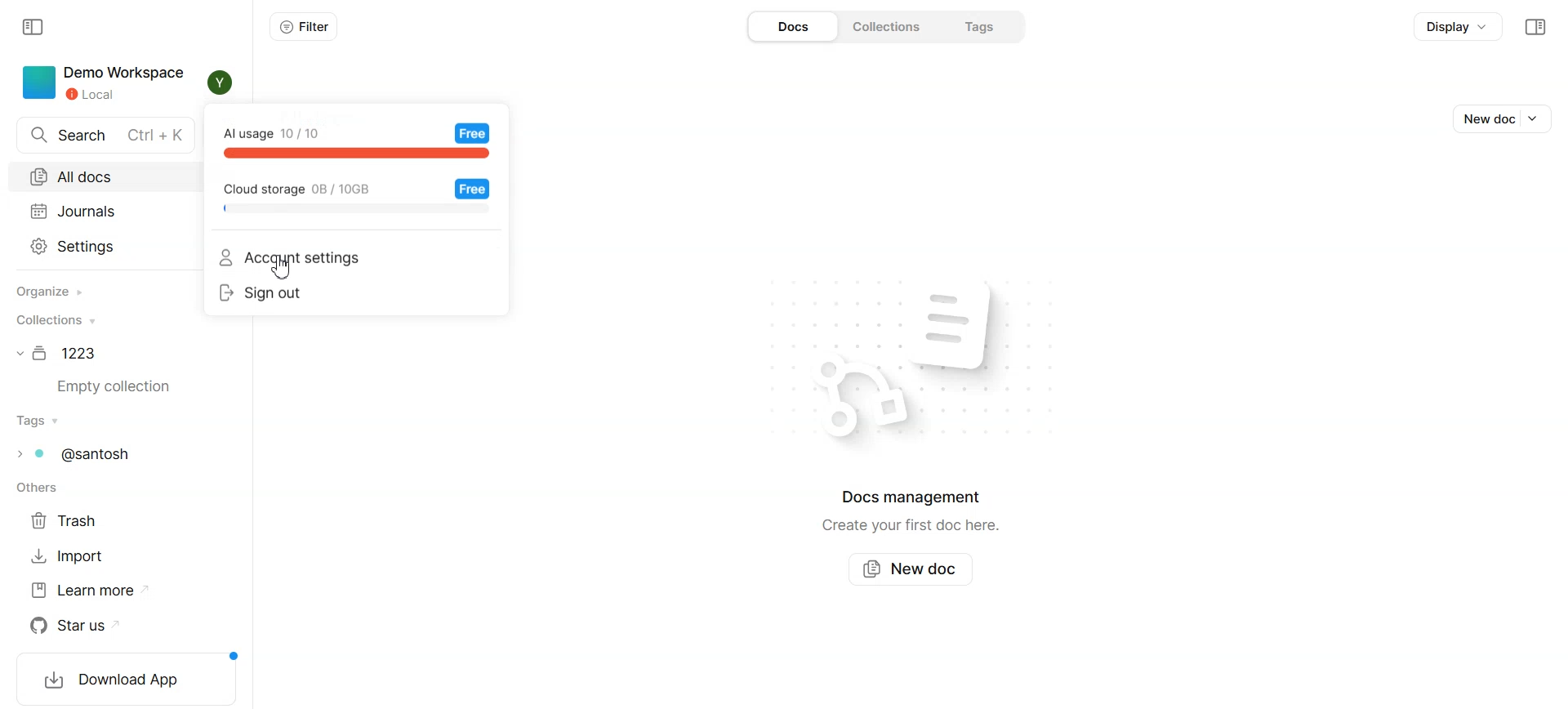 Image resolution: width=1568 pixels, height=709 pixels. I want to click on Settings, so click(108, 247).